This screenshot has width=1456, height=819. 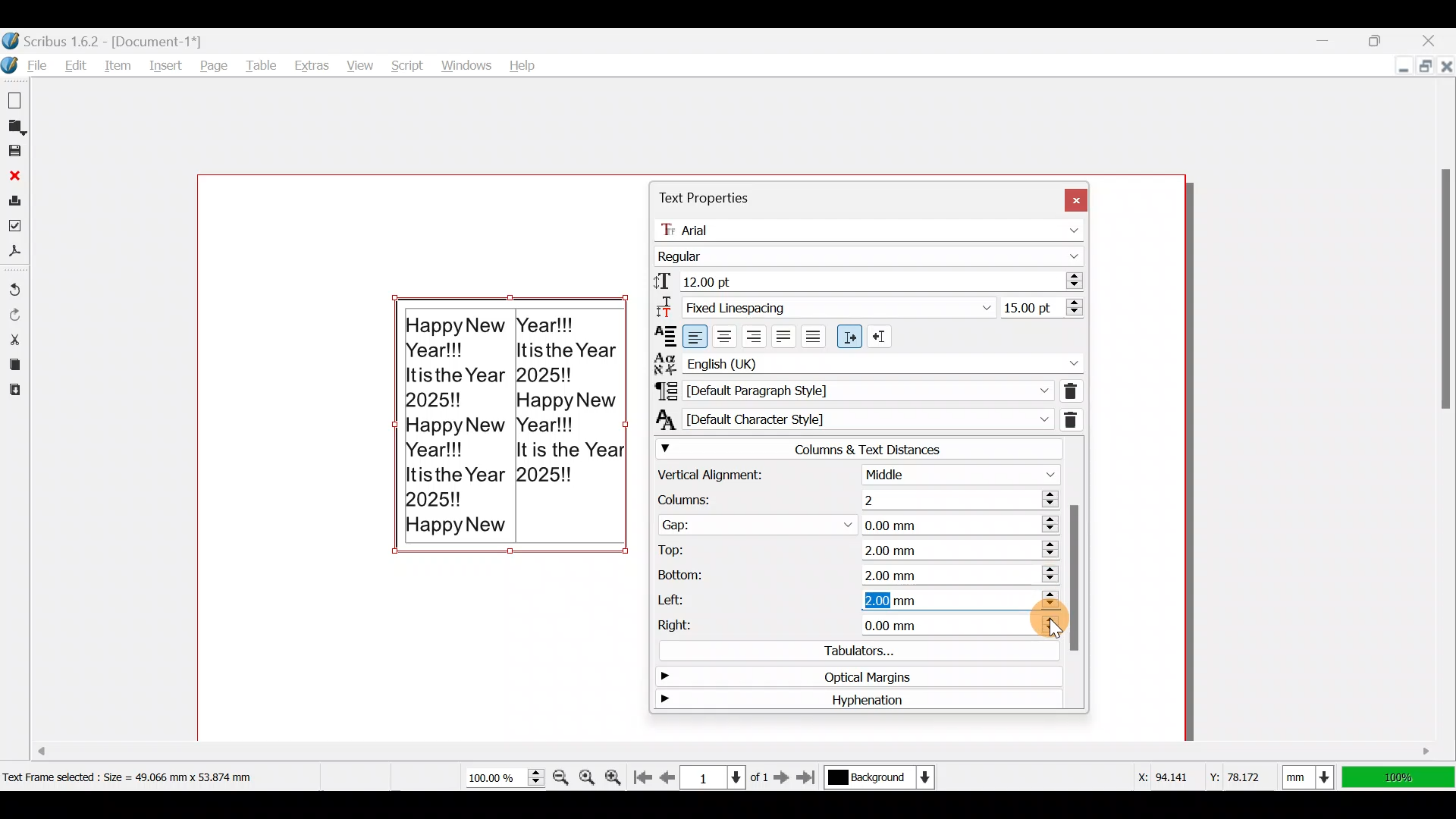 I want to click on Scroll bar, so click(x=610, y=743).